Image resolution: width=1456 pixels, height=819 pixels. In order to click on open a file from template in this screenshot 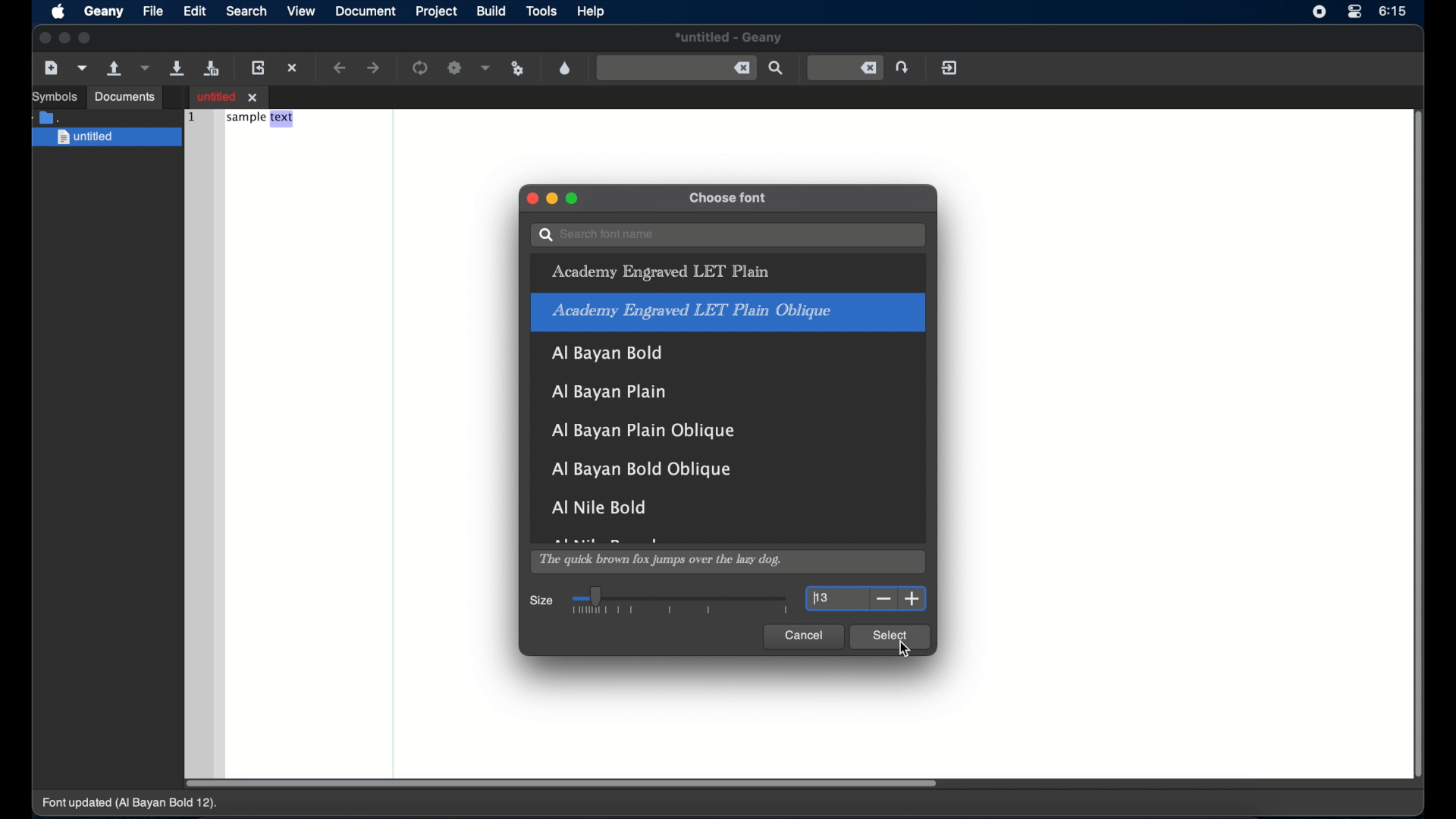, I will do `click(84, 67)`.